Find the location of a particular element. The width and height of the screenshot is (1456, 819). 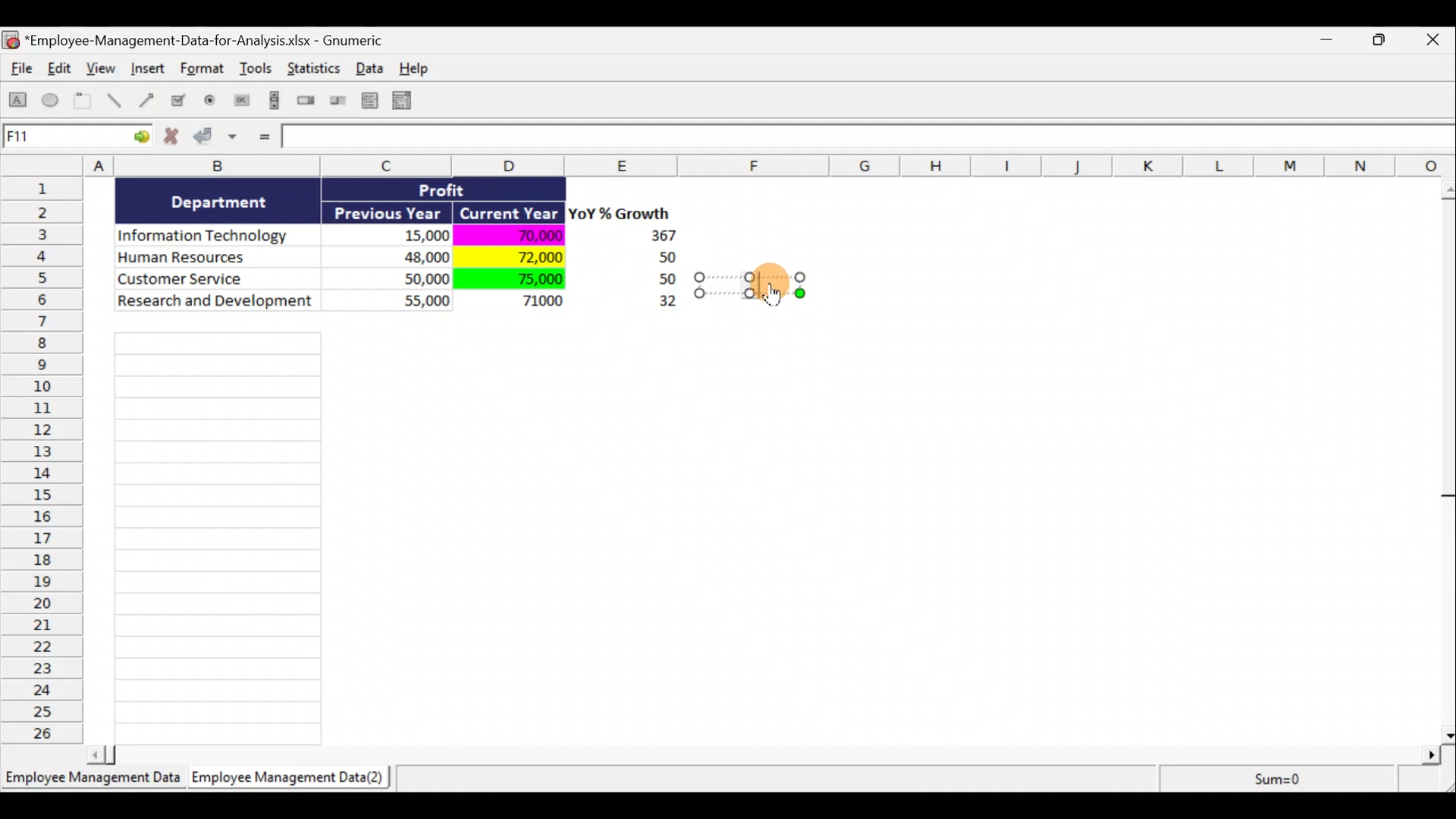

Create a slider is located at coordinates (336, 103).